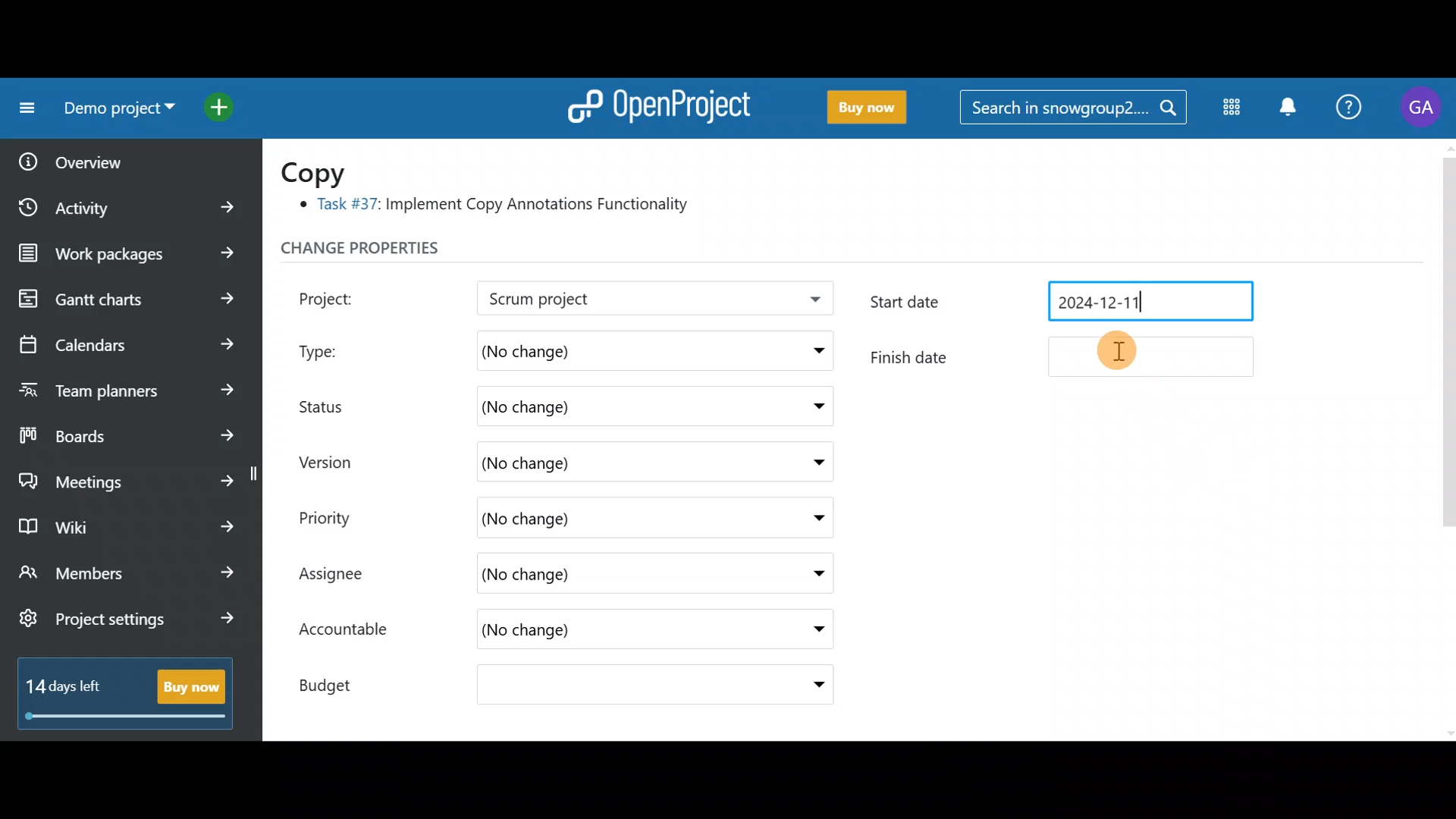 The height and width of the screenshot is (819, 1456). I want to click on Version, so click(334, 462).